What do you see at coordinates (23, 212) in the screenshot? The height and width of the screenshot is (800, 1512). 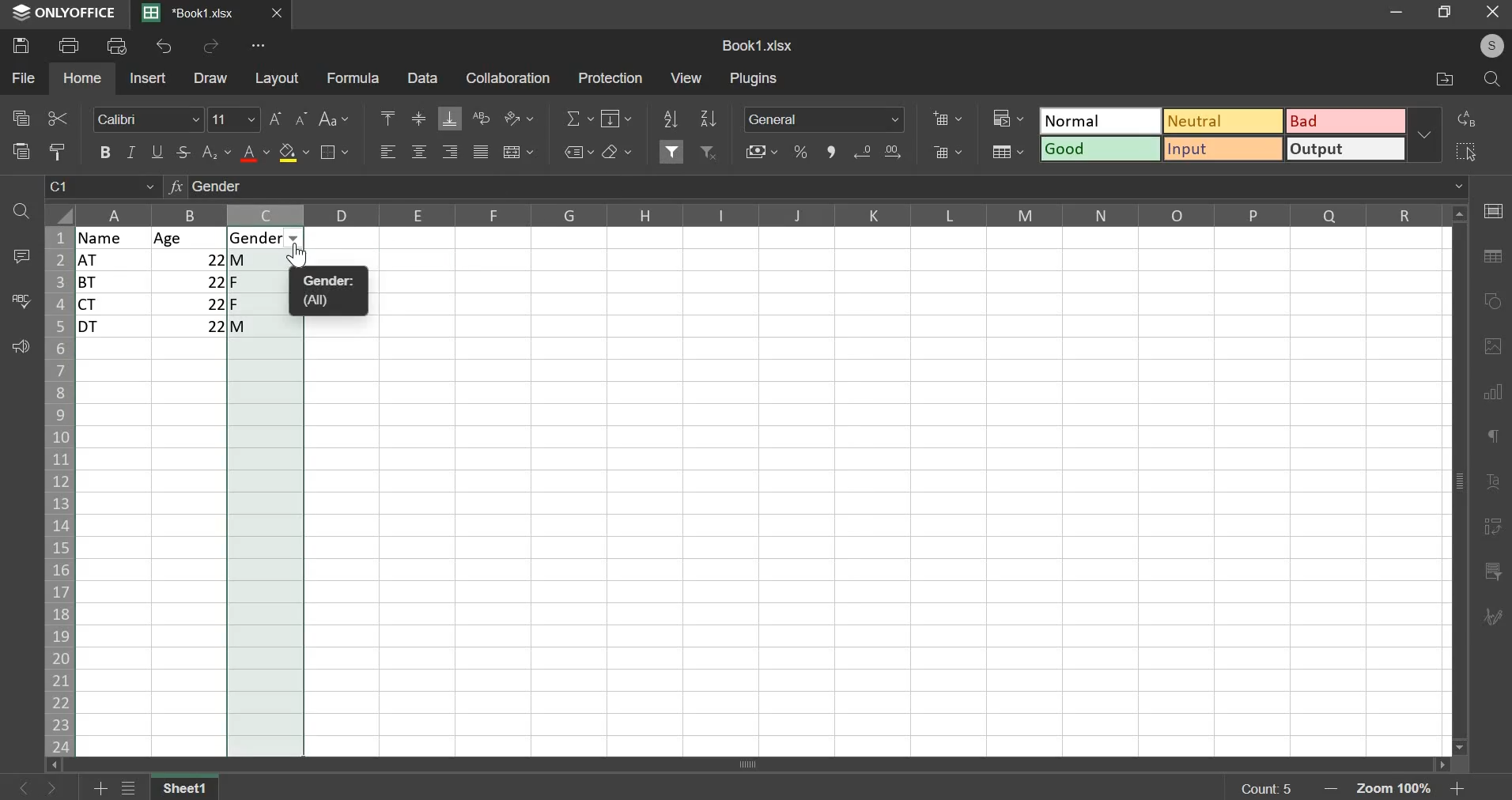 I see `find` at bounding box center [23, 212].